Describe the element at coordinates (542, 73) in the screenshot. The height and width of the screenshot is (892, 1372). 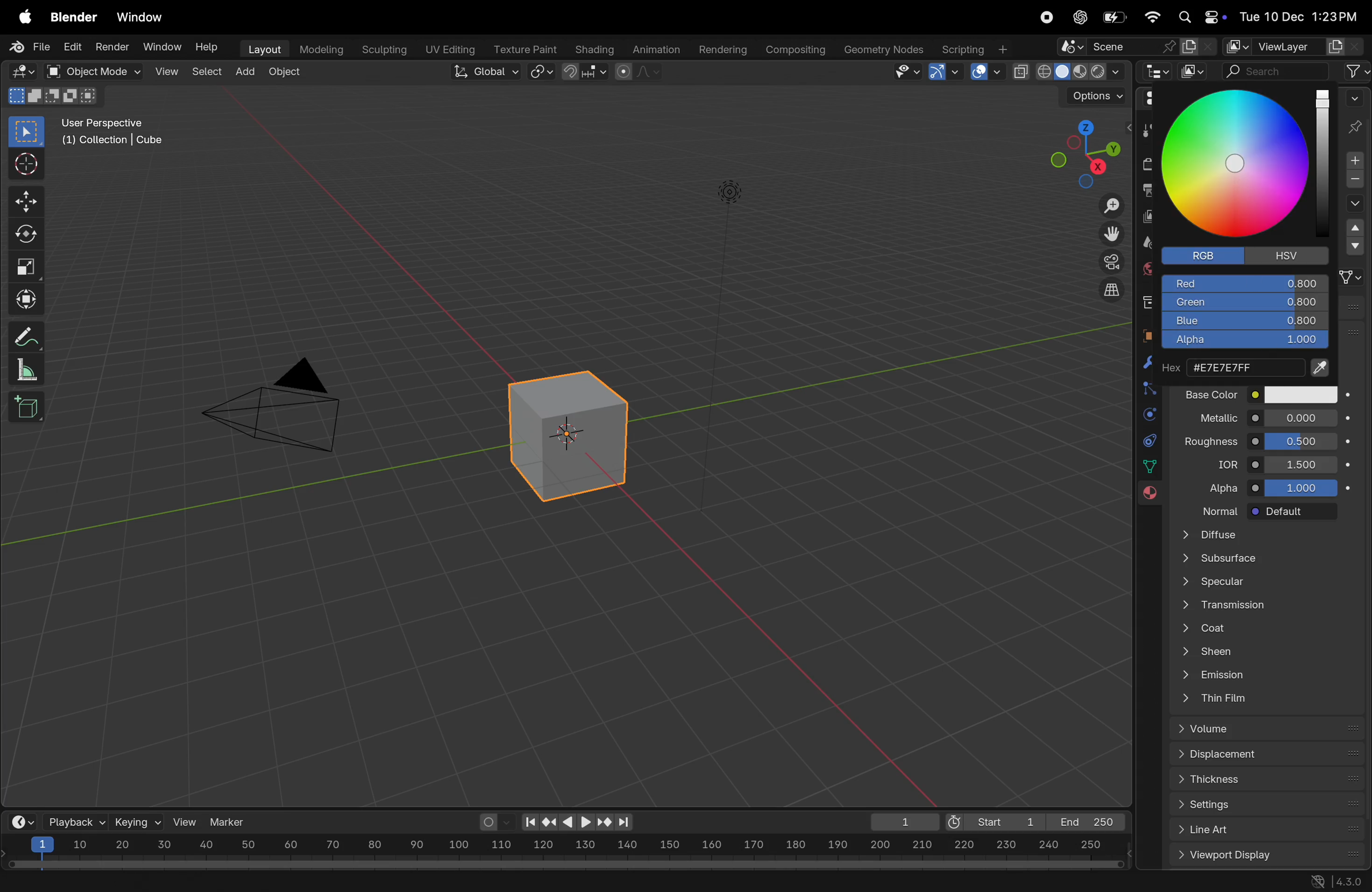
I see `snap` at that location.